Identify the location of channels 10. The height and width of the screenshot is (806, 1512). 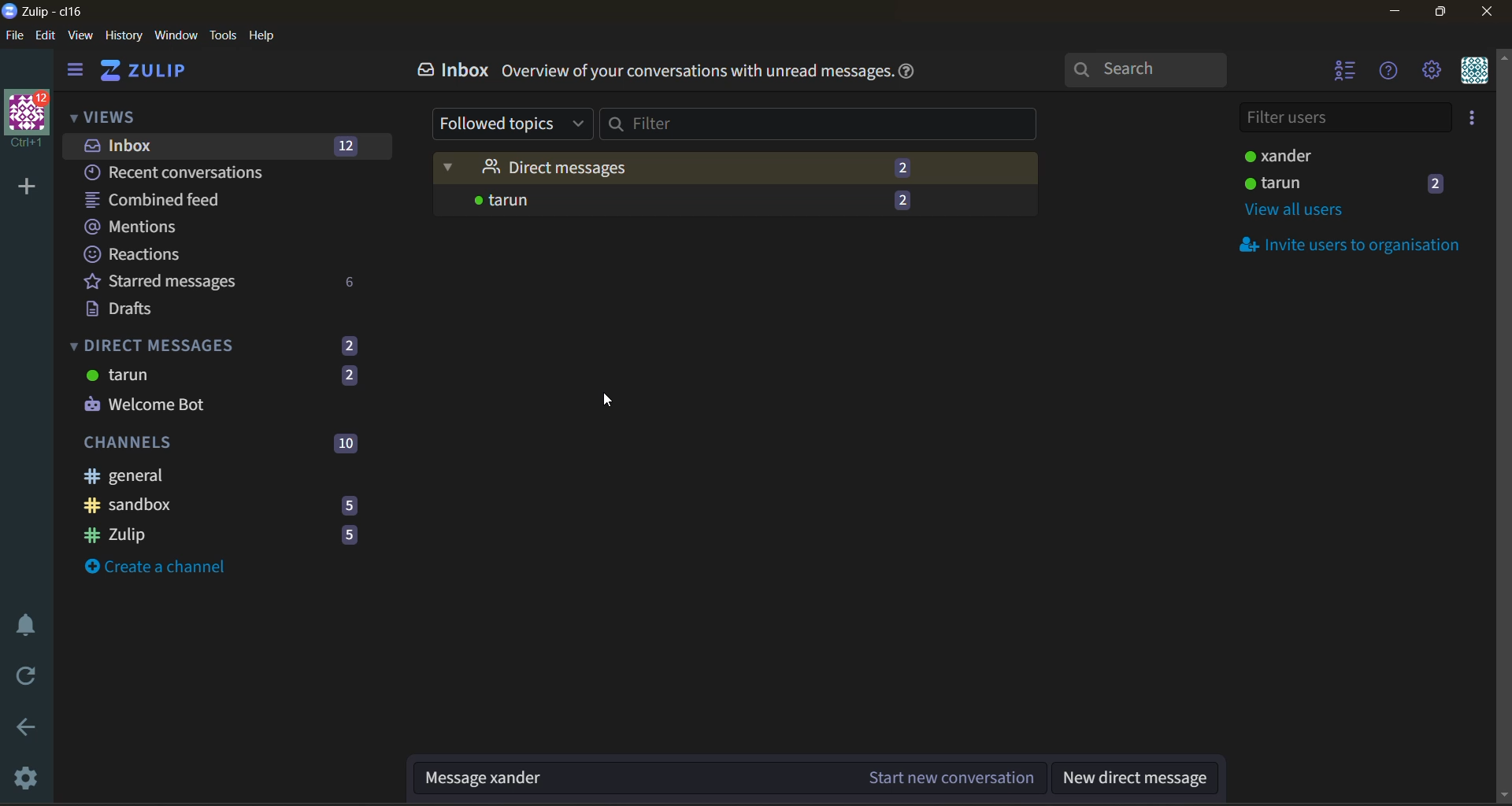
(221, 445).